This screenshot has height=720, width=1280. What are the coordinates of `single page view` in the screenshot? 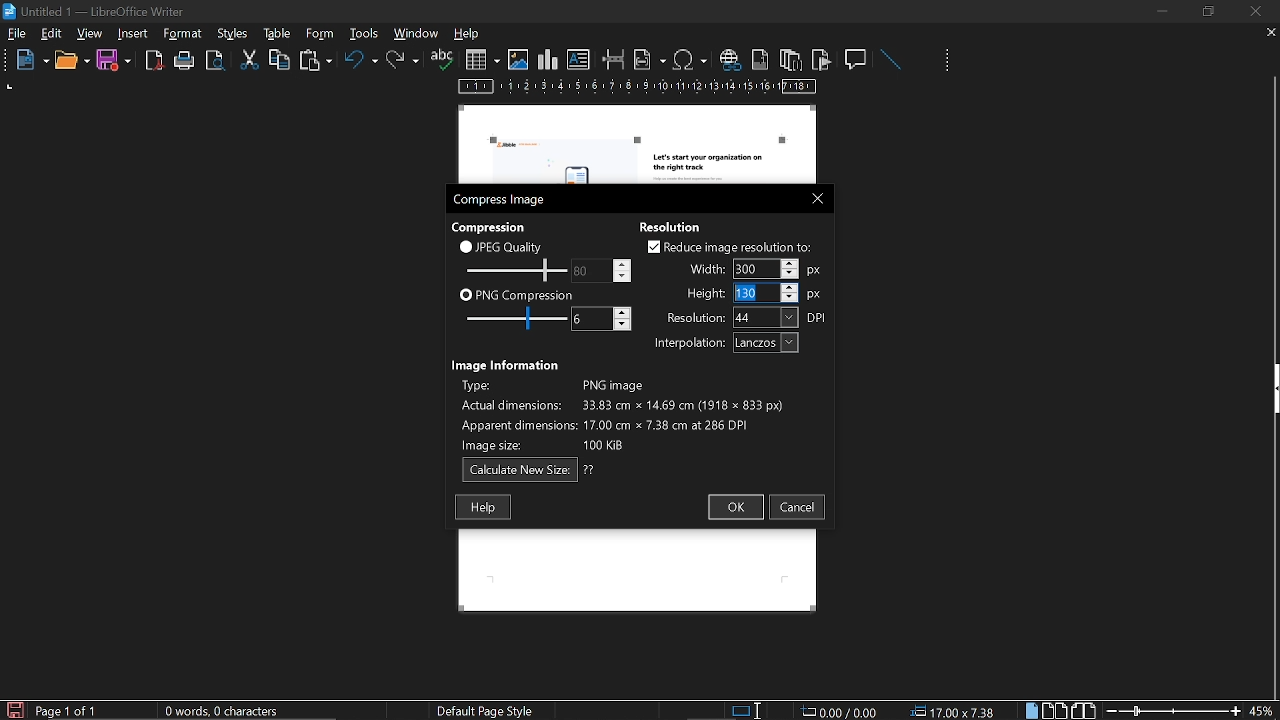 It's located at (1034, 710).